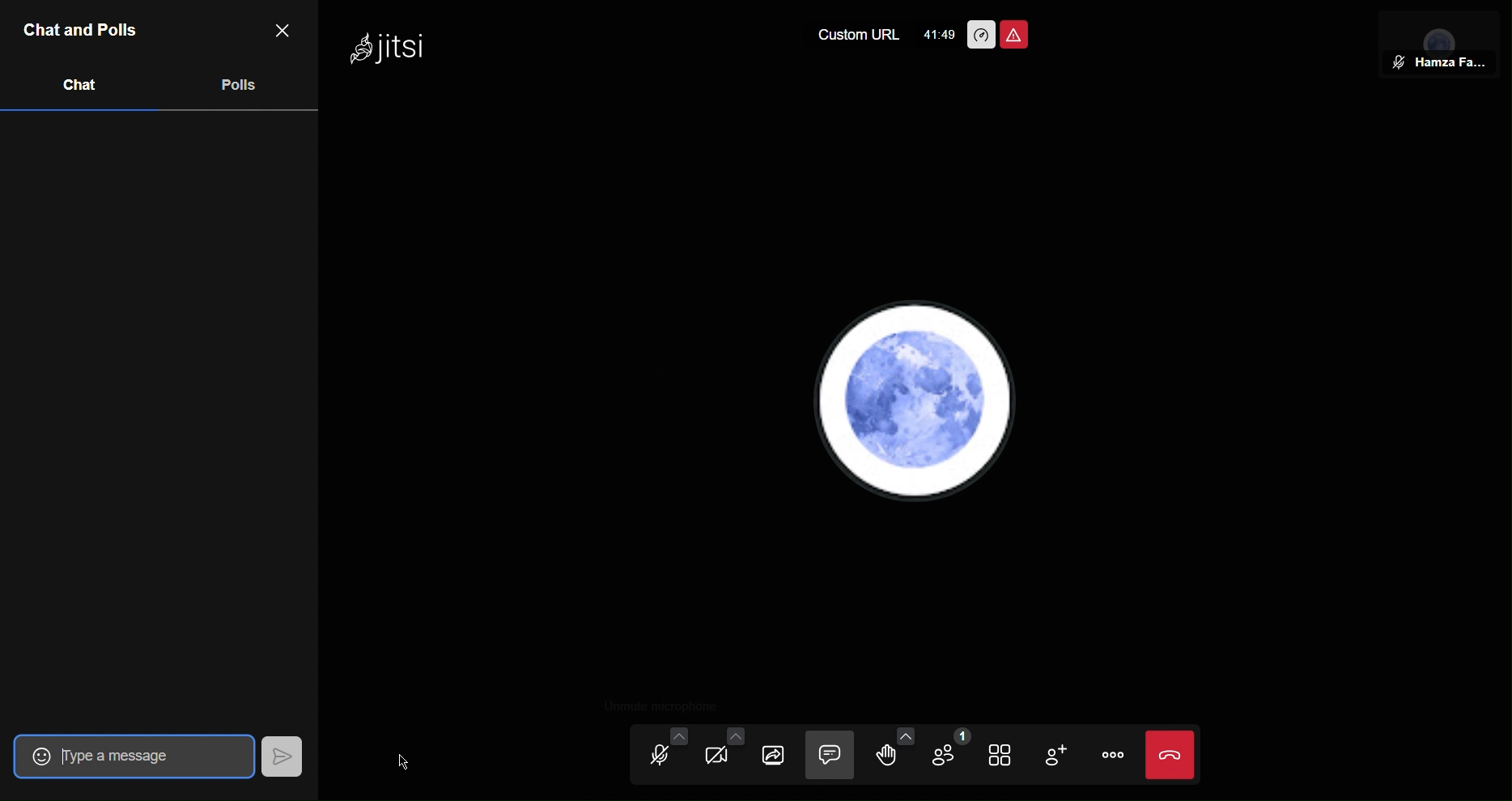 Image resolution: width=1512 pixels, height=801 pixels. What do you see at coordinates (977, 34) in the screenshot?
I see `Performance Settings` at bounding box center [977, 34].